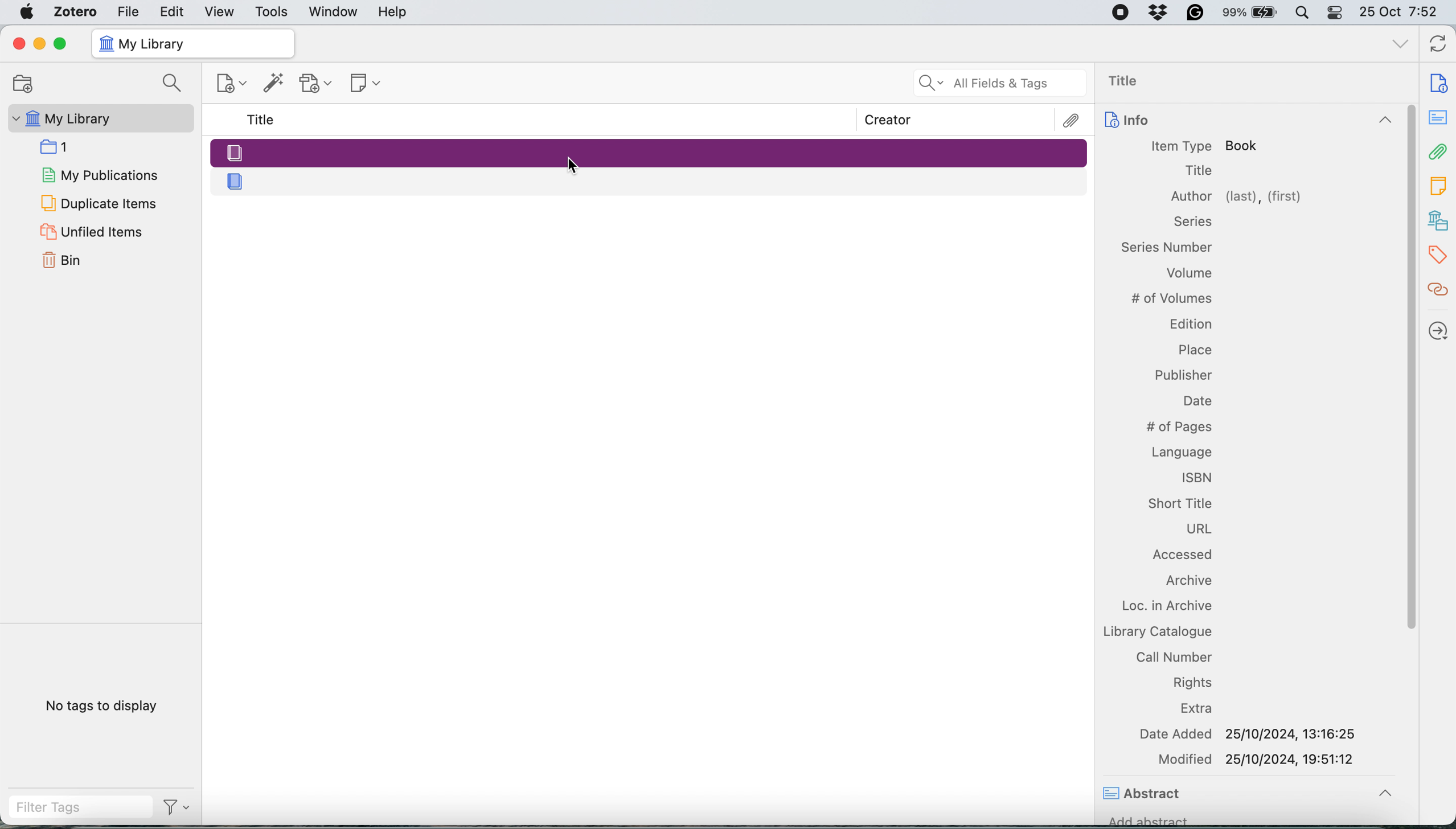  Describe the element at coordinates (1149, 823) in the screenshot. I see `Add abstract ` at that location.